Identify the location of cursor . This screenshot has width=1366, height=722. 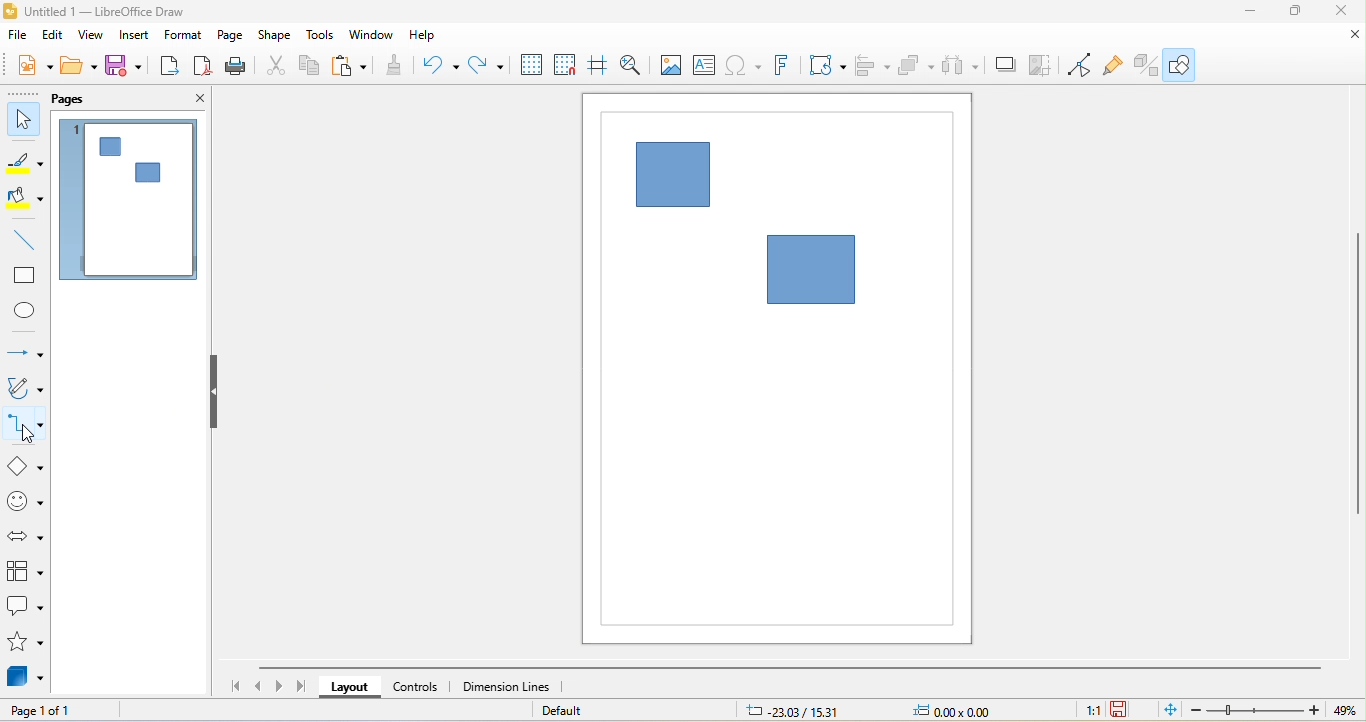
(40, 436).